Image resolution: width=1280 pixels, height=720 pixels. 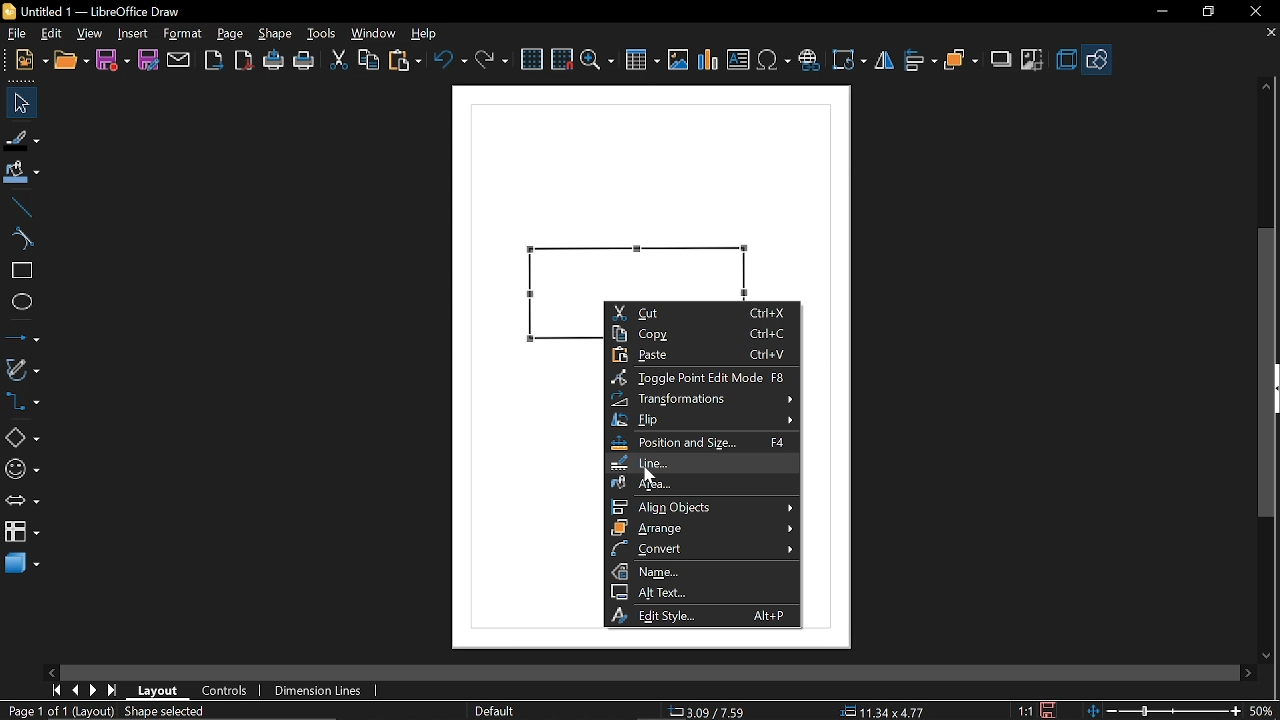 I want to click on page, so click(x=231, y=33).